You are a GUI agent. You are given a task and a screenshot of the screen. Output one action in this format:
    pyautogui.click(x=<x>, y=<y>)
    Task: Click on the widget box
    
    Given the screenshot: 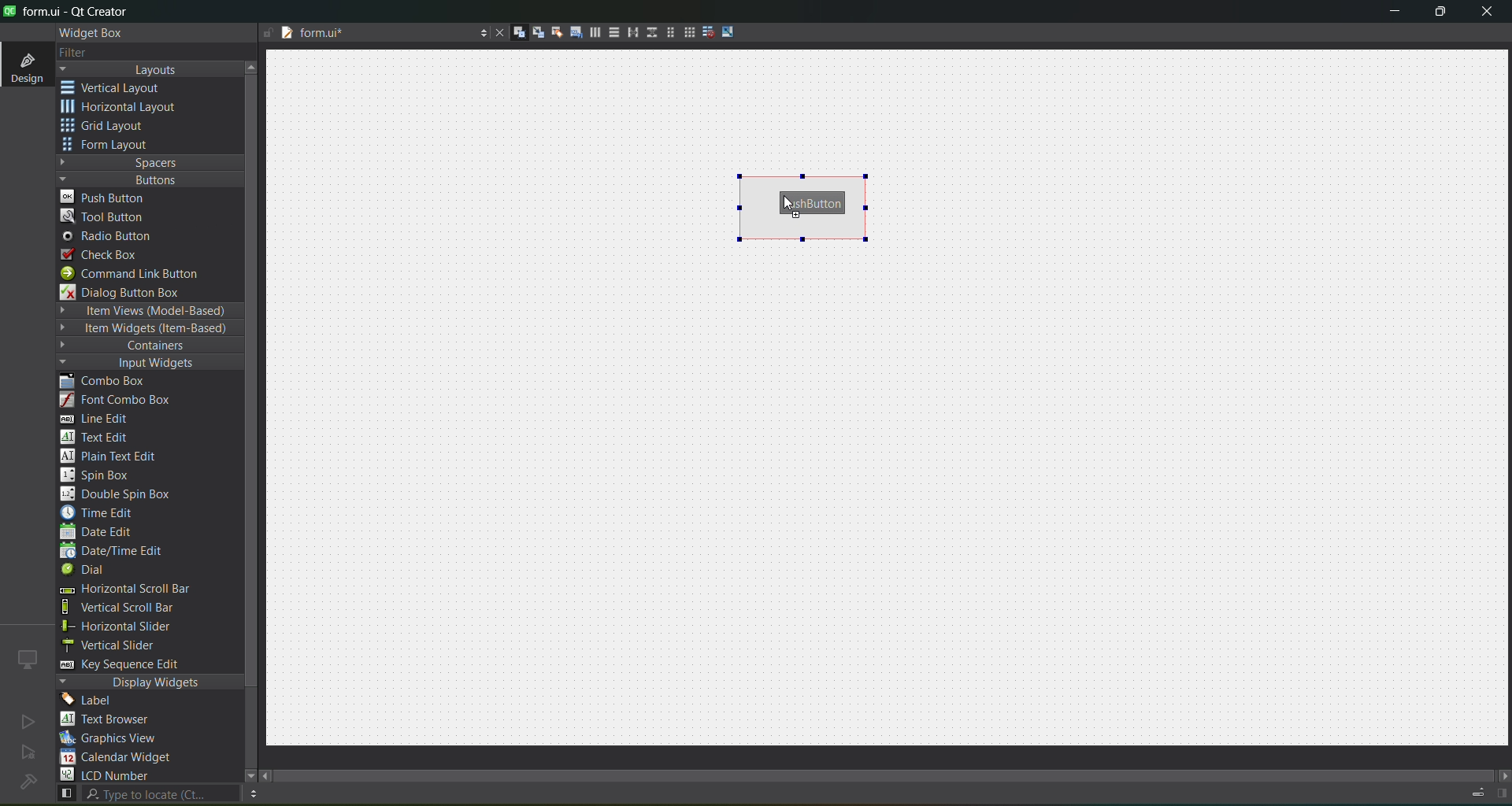 What is the action you would take?
    pyautogui.click(x=94, y=33)
    